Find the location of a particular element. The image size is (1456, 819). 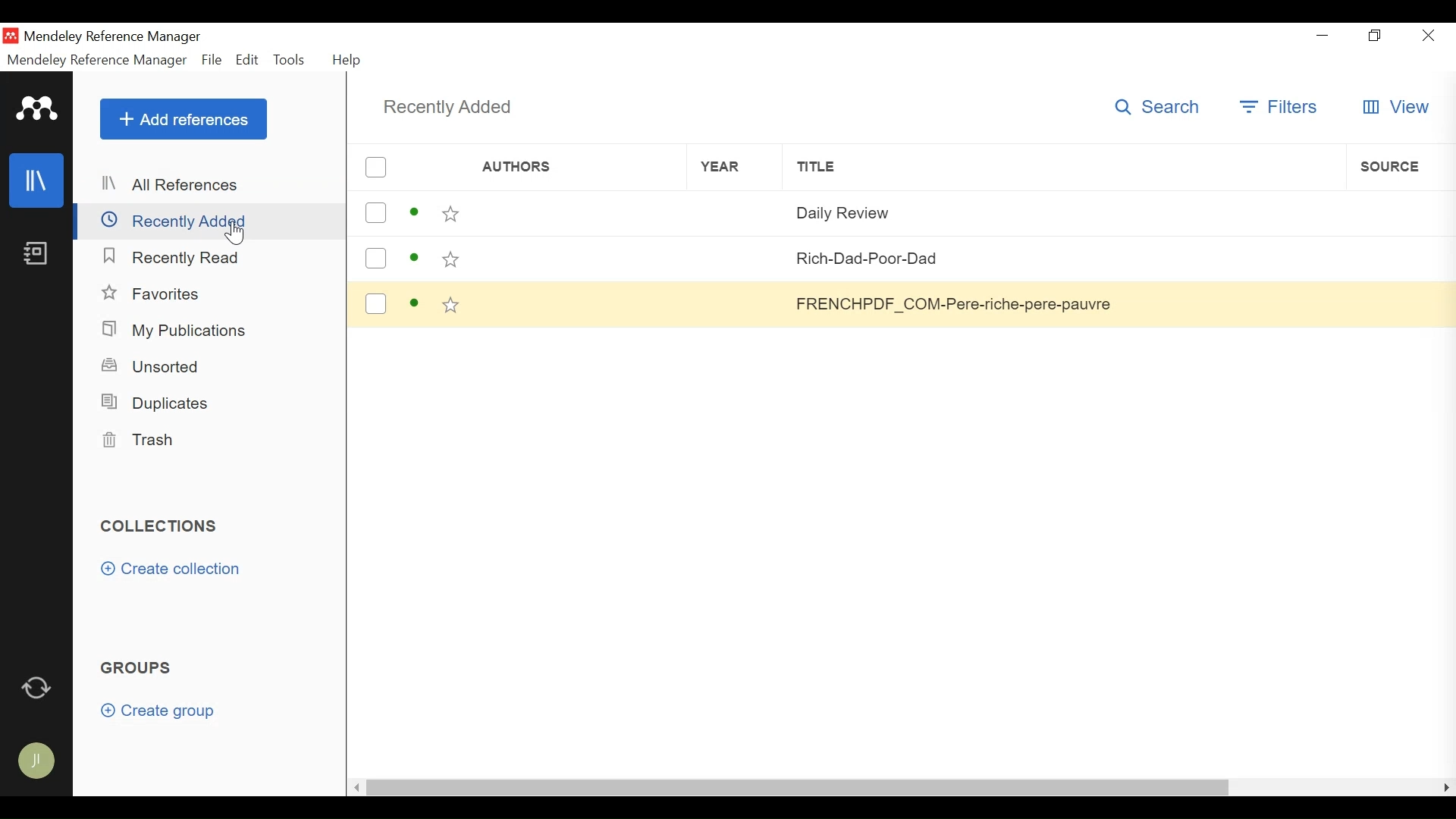

Close is located at coordinates (1427, 36).